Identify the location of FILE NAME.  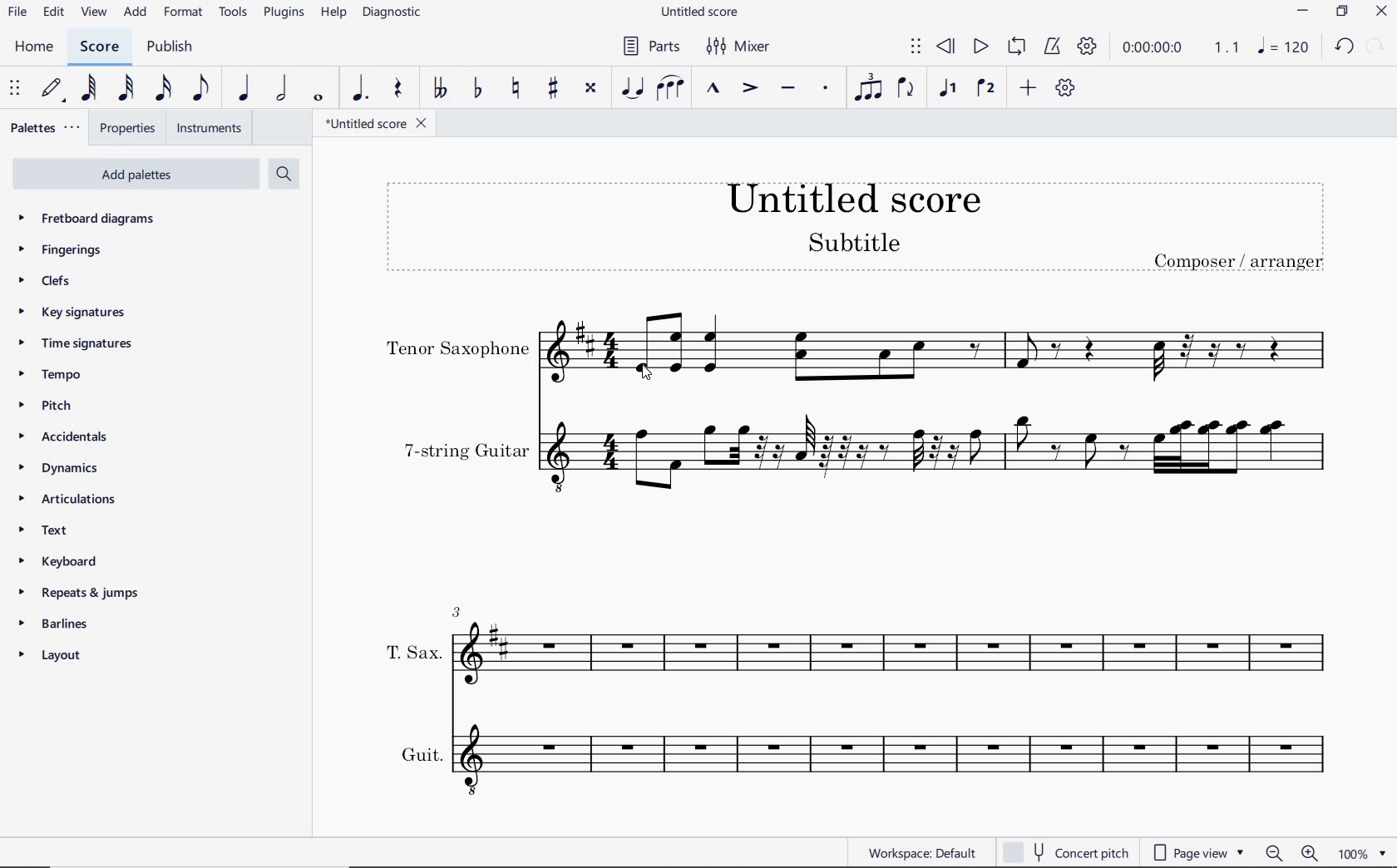
(703, 11).